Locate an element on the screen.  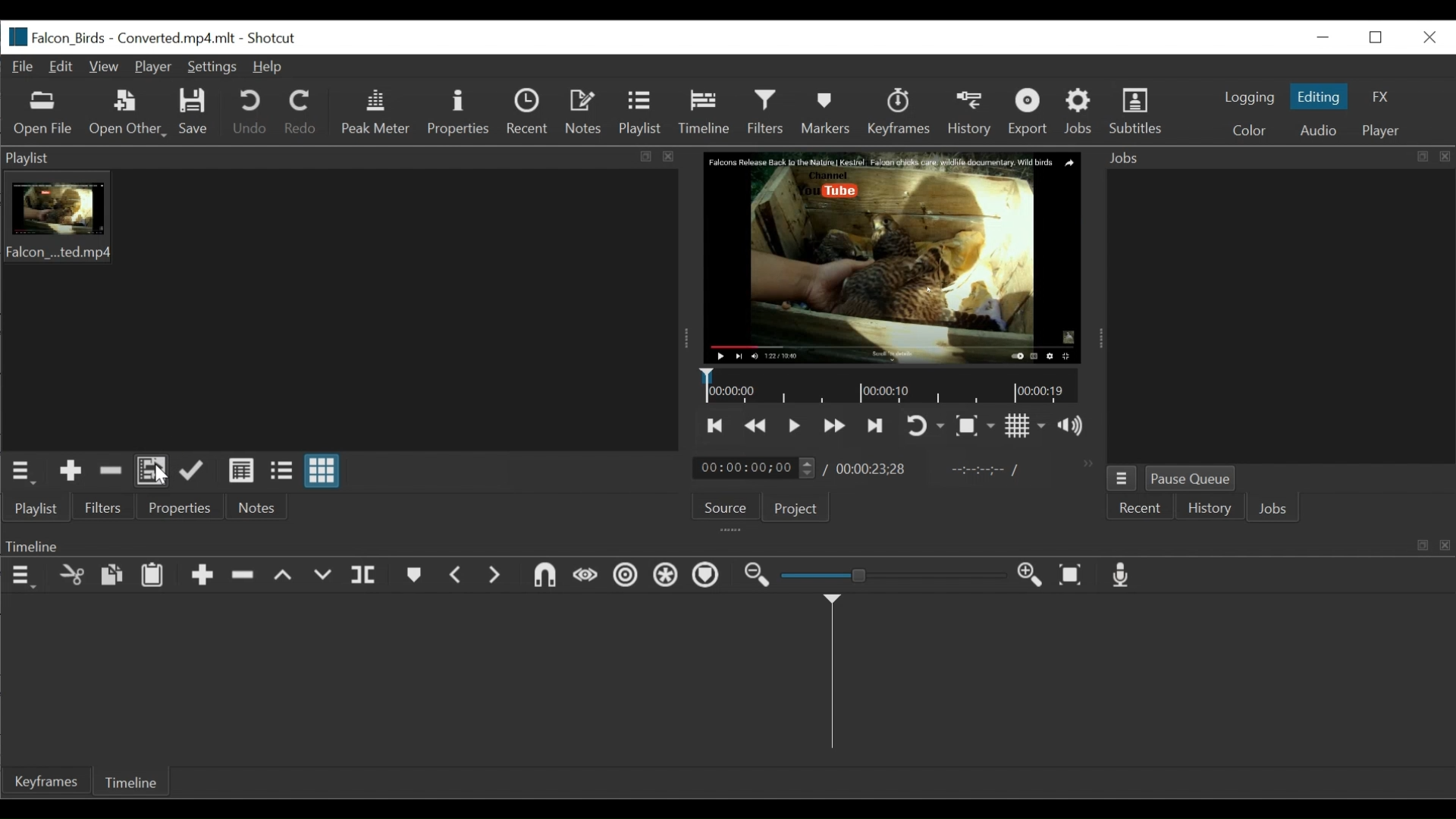
Notes is located at coordinates (256, 507).